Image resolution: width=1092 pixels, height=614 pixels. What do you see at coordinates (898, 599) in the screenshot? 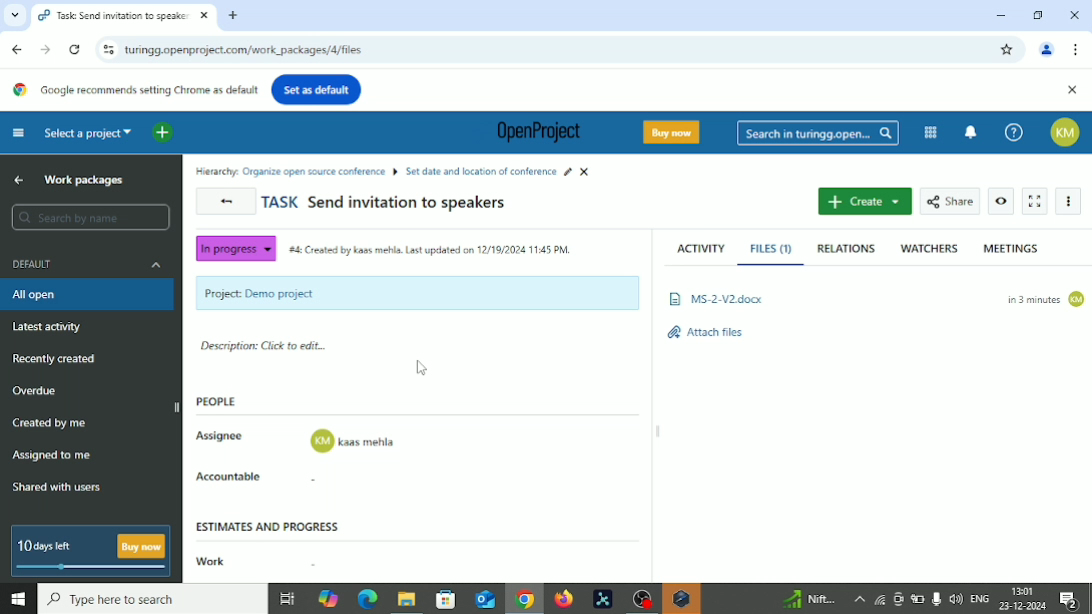
I see `Meet now` at bounding box center [898, 599].